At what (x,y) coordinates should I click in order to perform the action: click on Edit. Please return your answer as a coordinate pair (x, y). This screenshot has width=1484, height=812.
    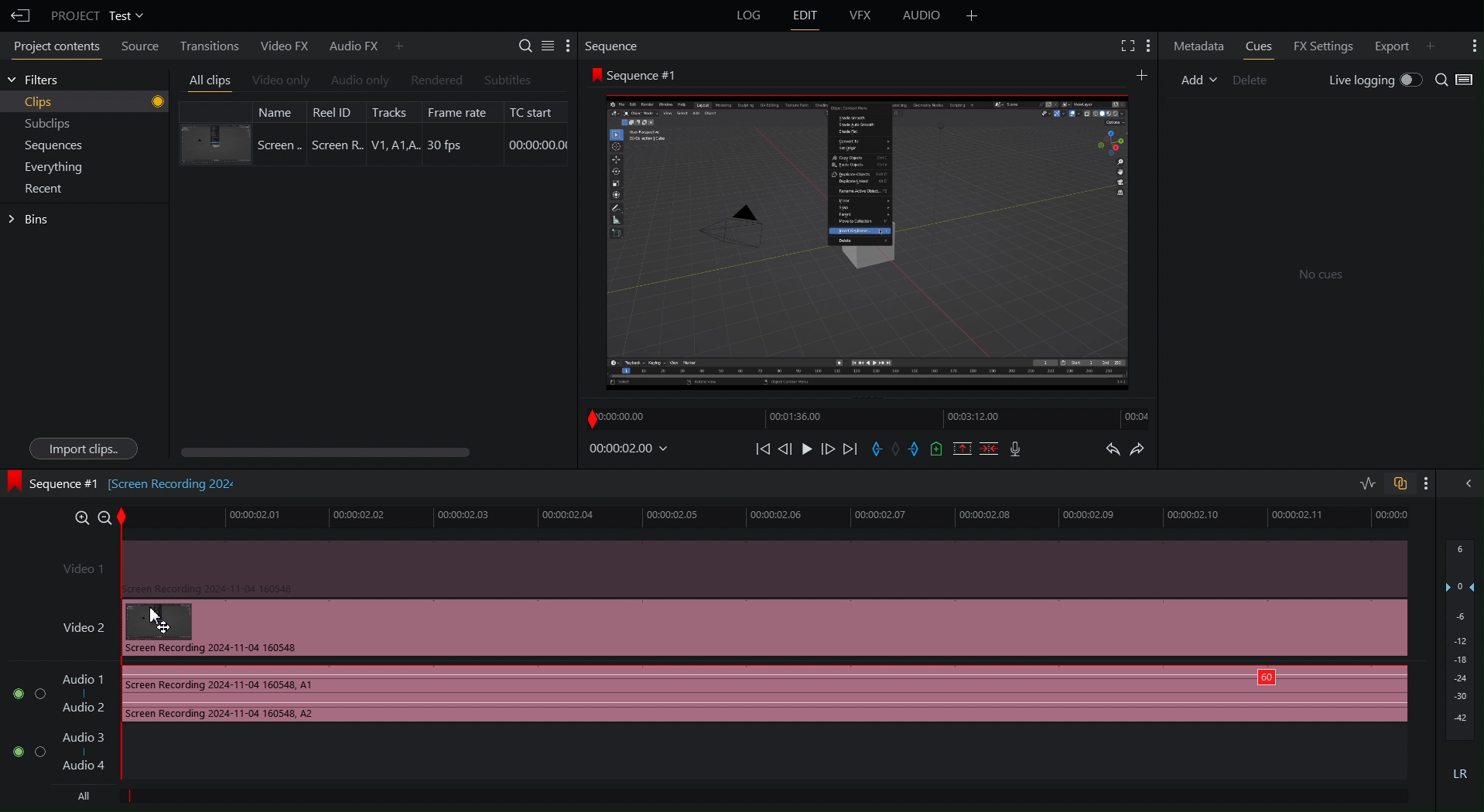
    Looking at the image, I should click on (805, 16).